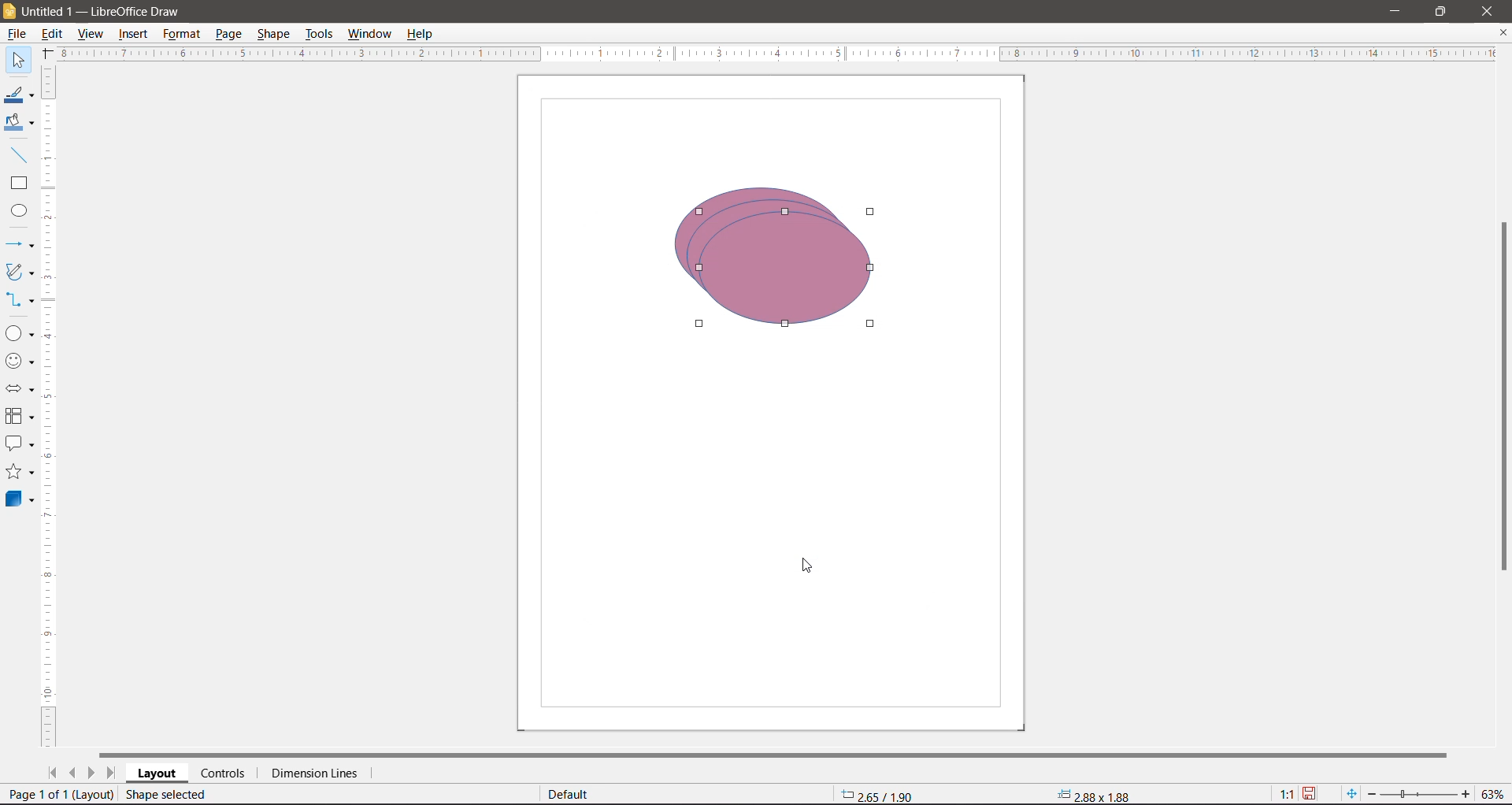 Image resolution: width=1512 pixels, height=805 pixels. What do you see at coordinates (20, 333) in the screenshot?
I see `Basic Shapes` at bounding box center [20, 333].